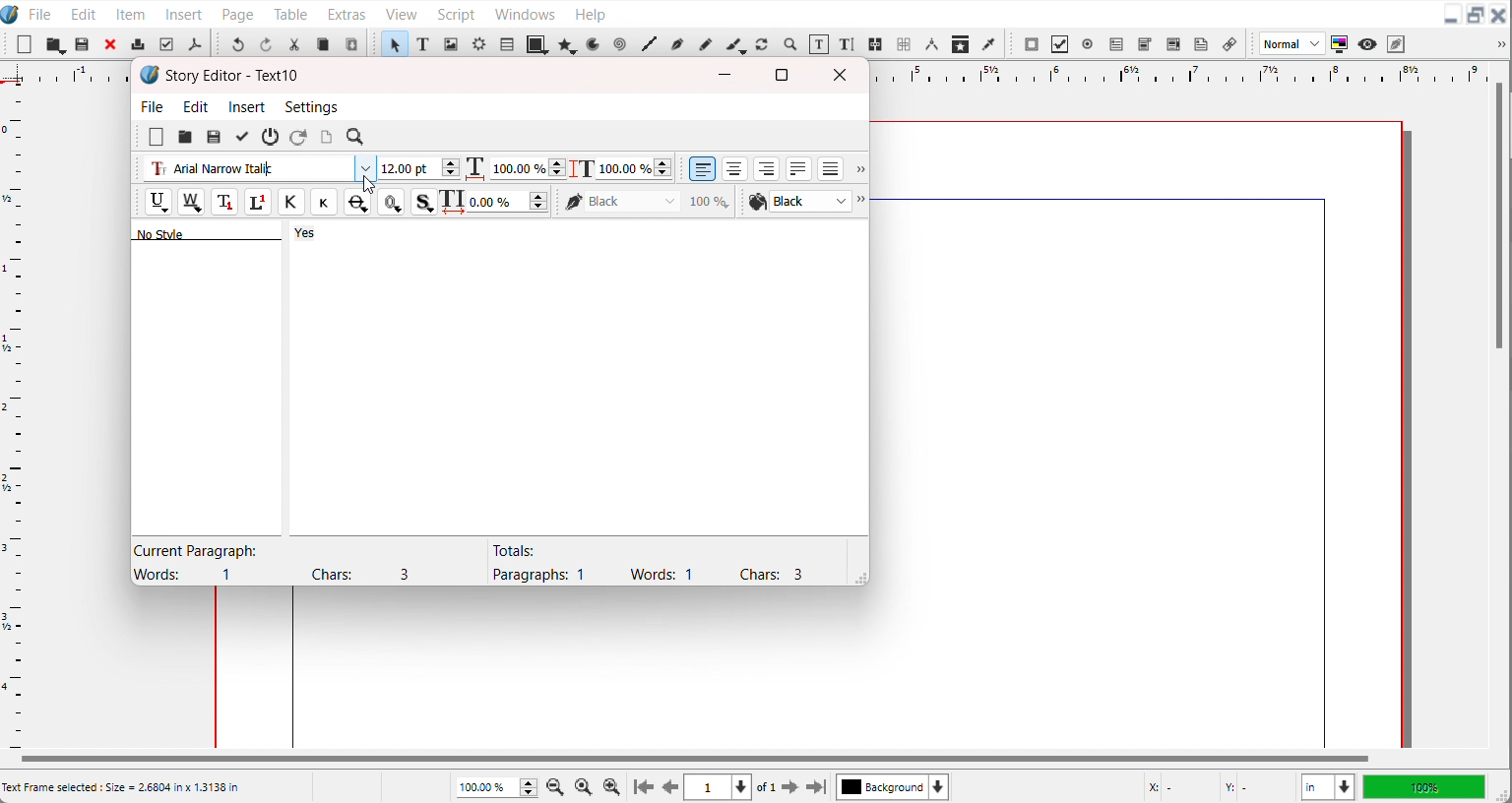 The height and width of the screenshot is (803, 1512). What do you see at coordinates (762, 44) in the screenshot?
I see `Rotate item` at bounding box center [762, 44].